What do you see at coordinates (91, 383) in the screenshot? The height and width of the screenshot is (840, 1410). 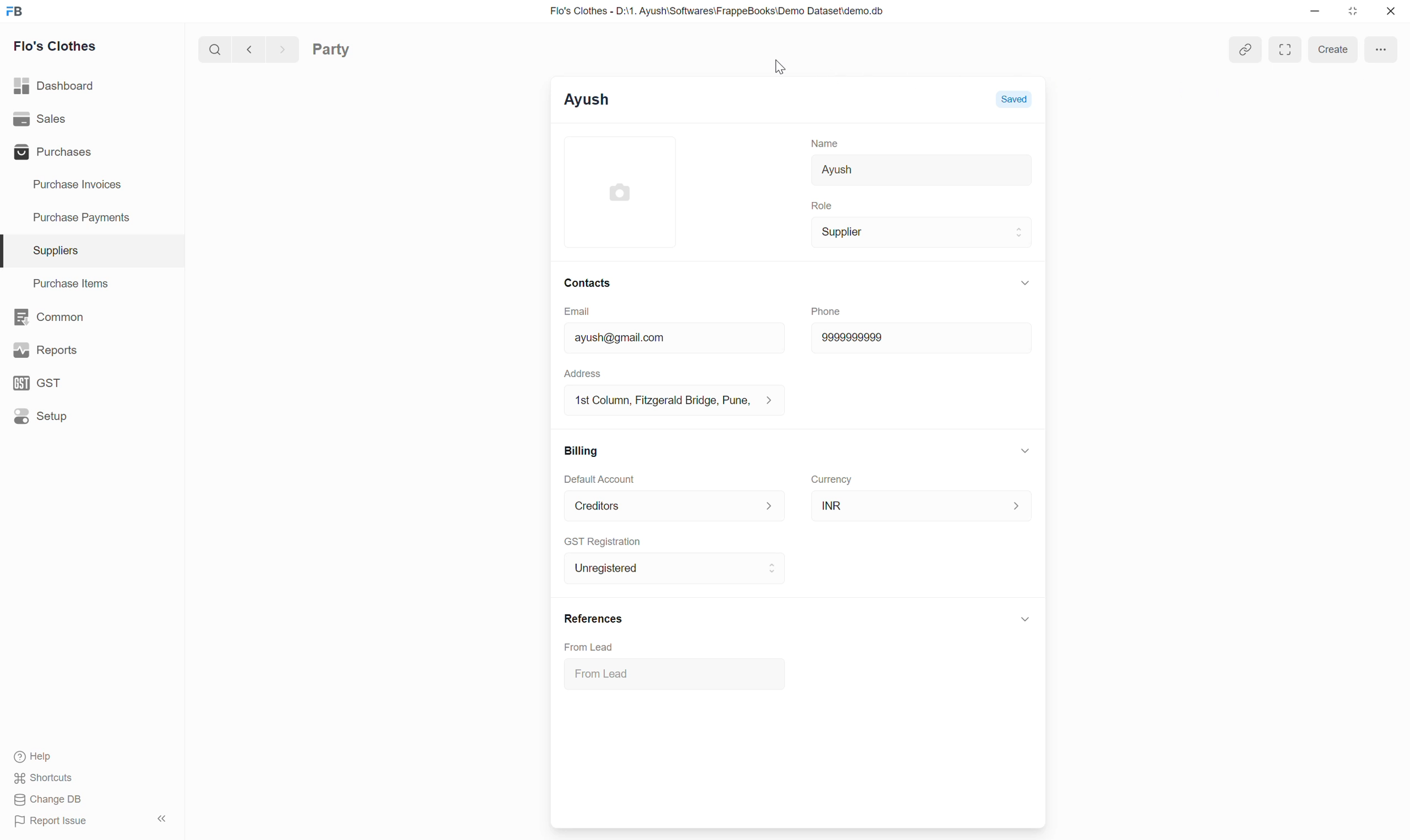 I see `GST` at bounding box center [91, 383].